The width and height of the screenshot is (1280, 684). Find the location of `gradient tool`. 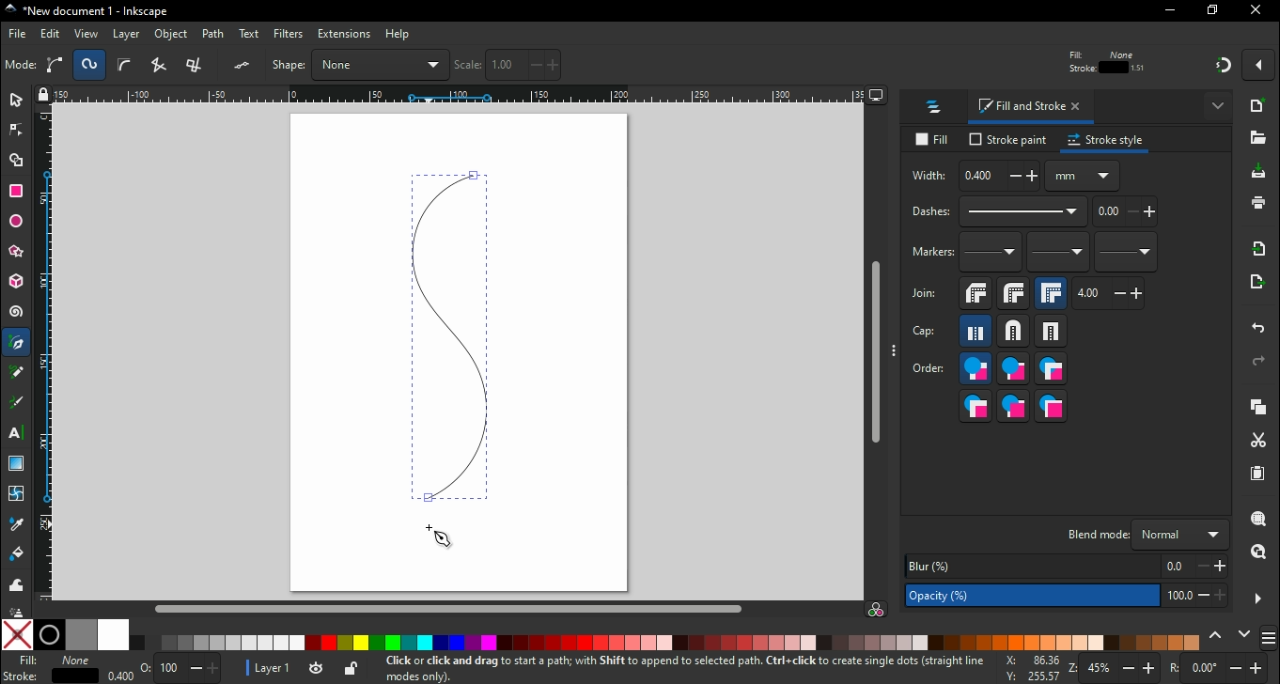

gradient tool is located at coordinates (18, 464).